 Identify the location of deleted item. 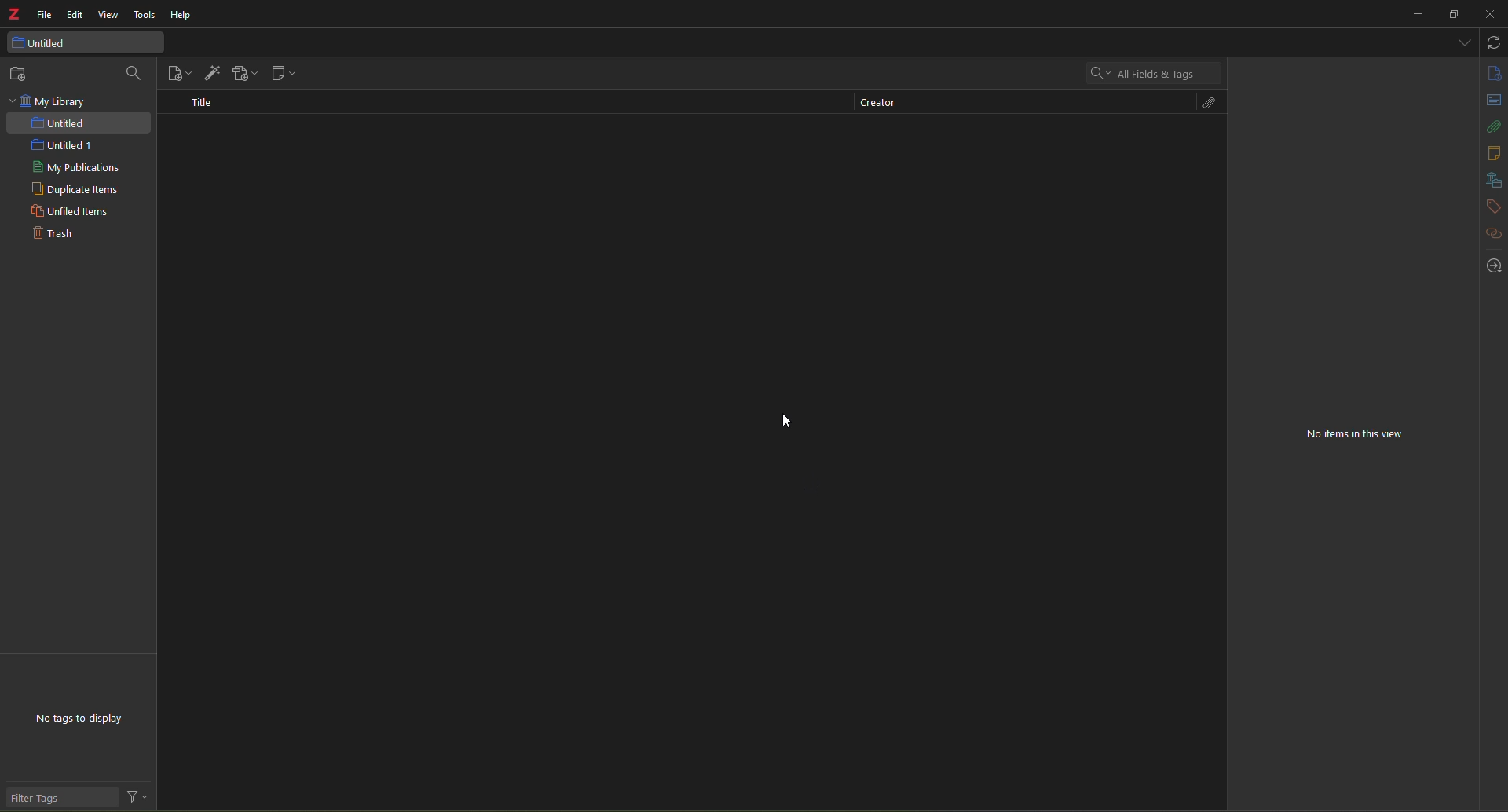
(403, 181).